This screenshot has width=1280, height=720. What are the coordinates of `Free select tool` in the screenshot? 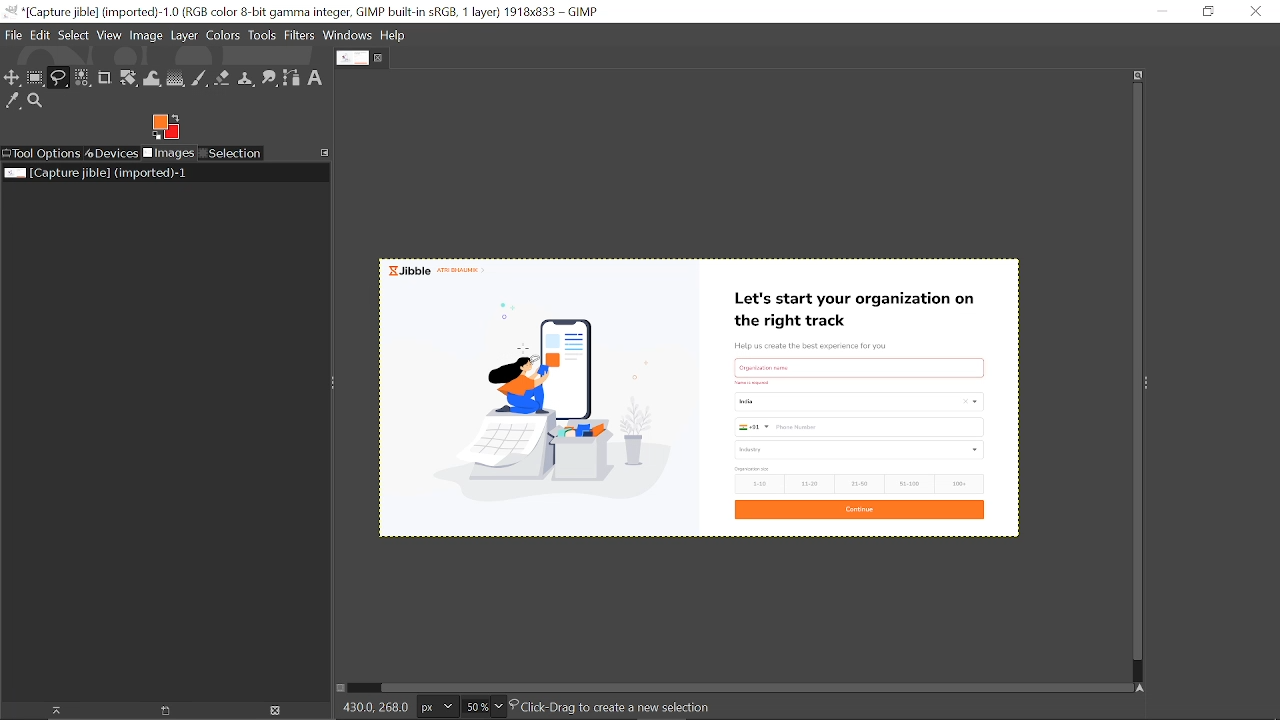 It's located at (58, 78).